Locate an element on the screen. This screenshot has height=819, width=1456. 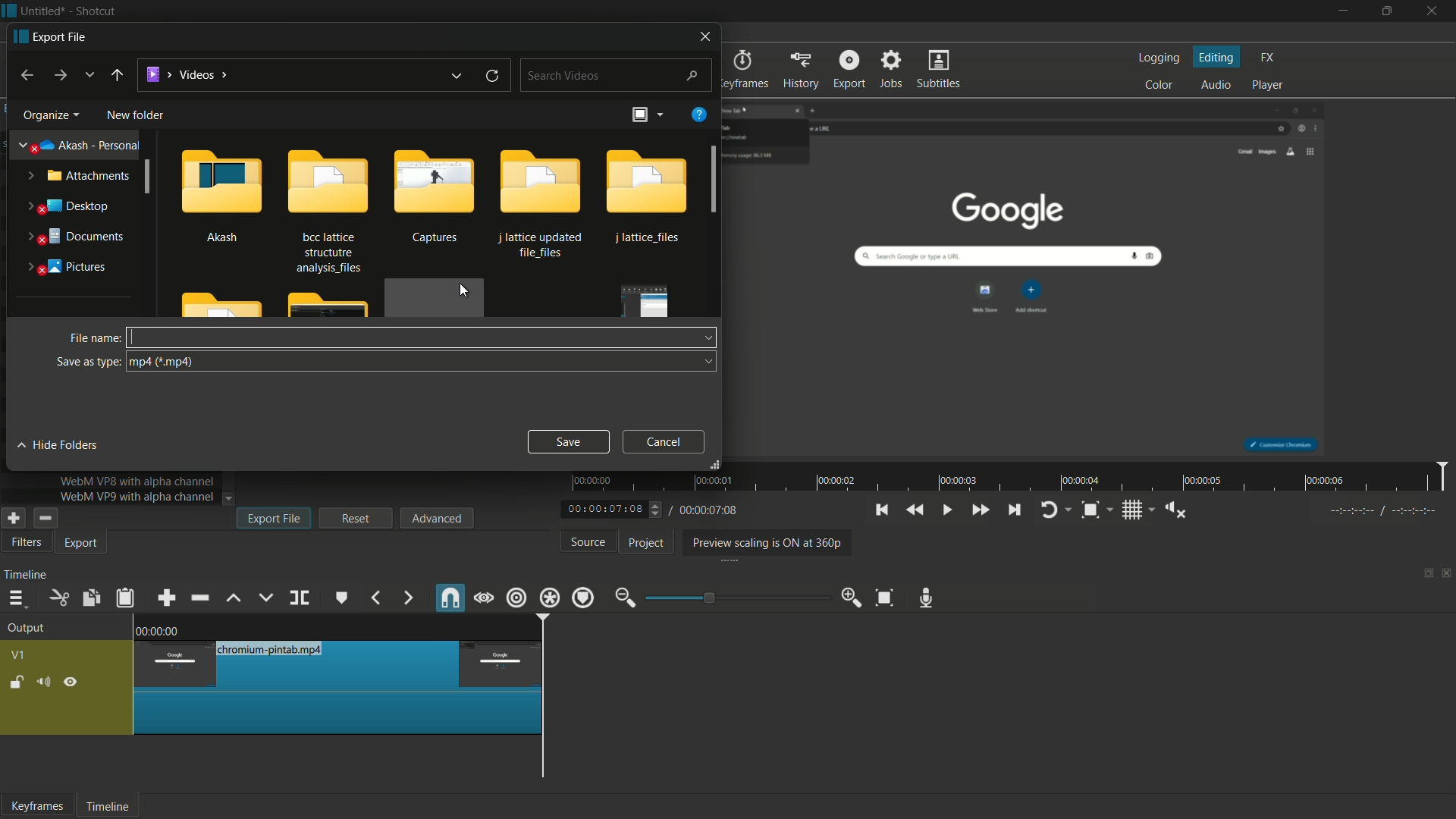
close app is located at coordinates (1434, 11).